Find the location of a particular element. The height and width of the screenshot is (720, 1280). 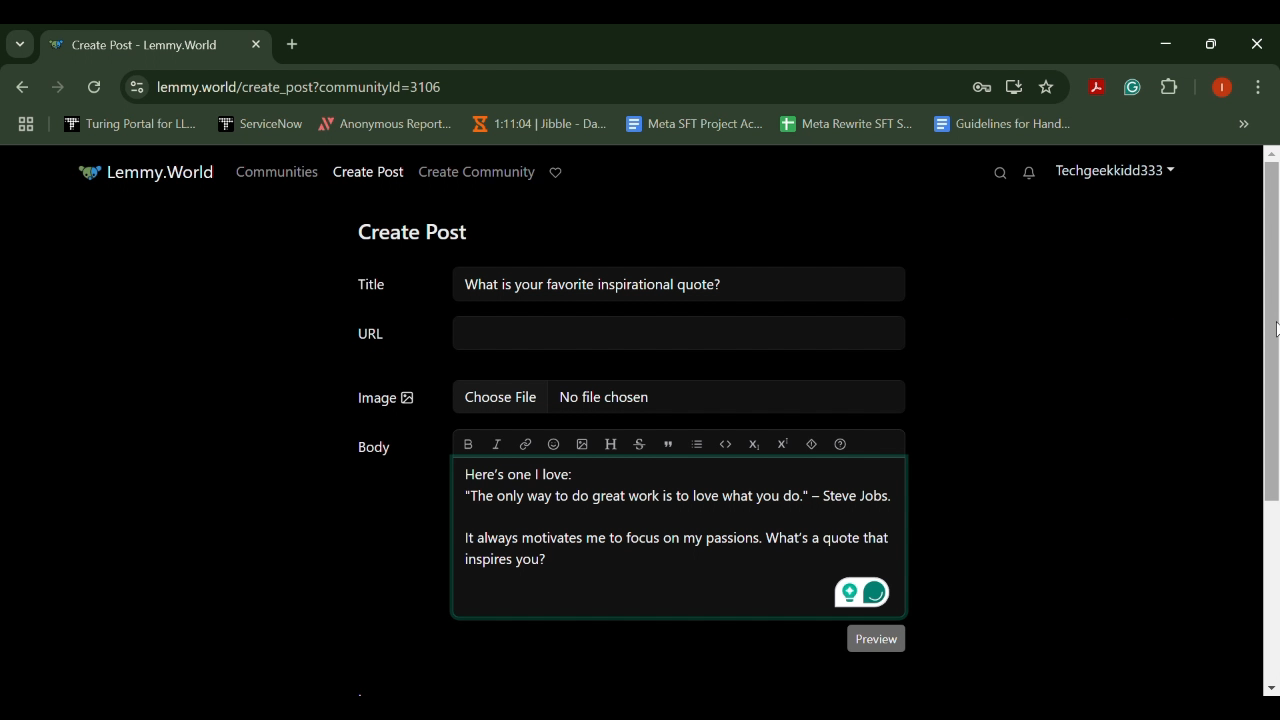

Tab Groups is located at coordinates (23, 125).